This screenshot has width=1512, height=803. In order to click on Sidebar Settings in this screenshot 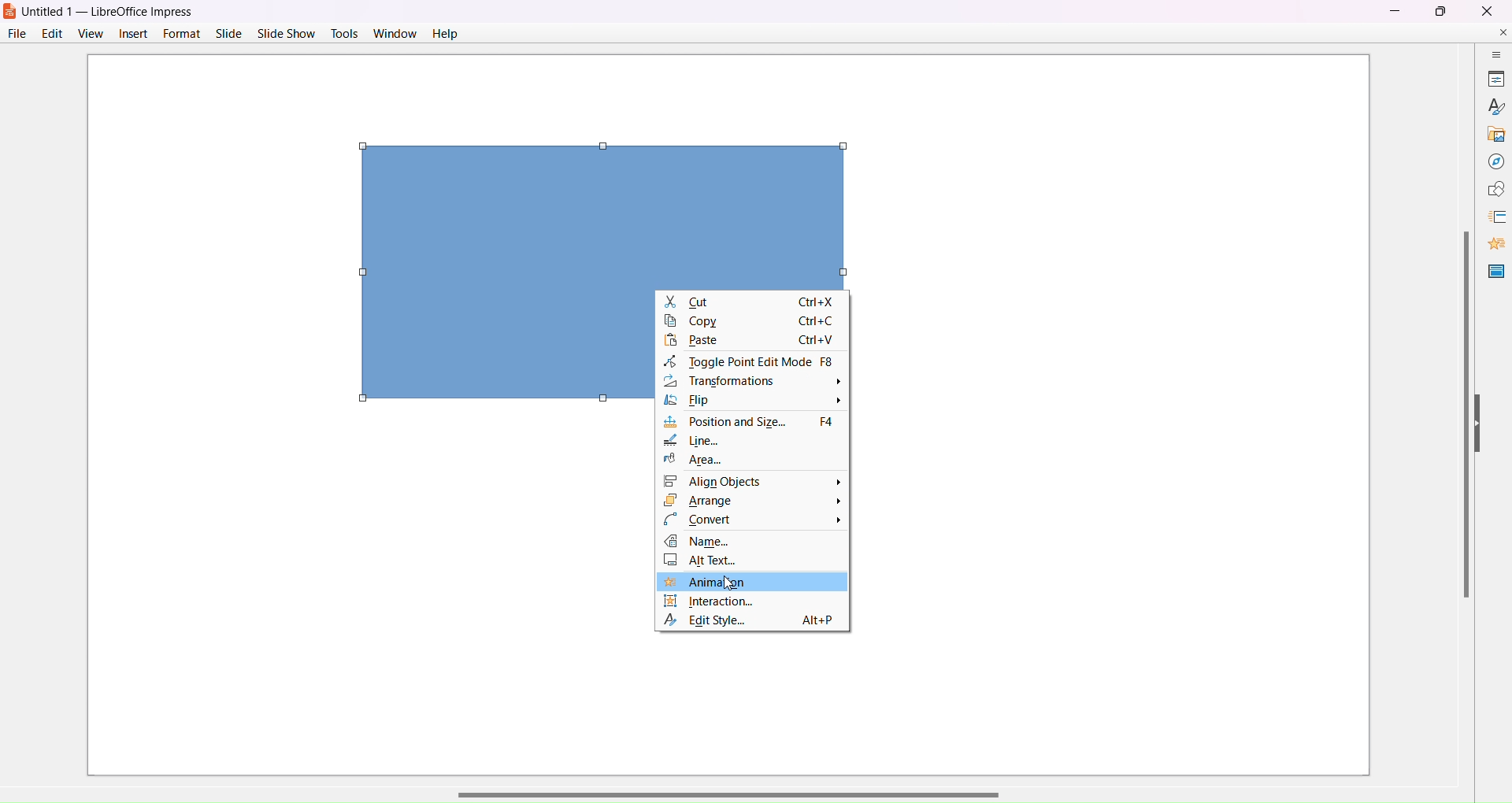, I will do `click(1488, 52)`.